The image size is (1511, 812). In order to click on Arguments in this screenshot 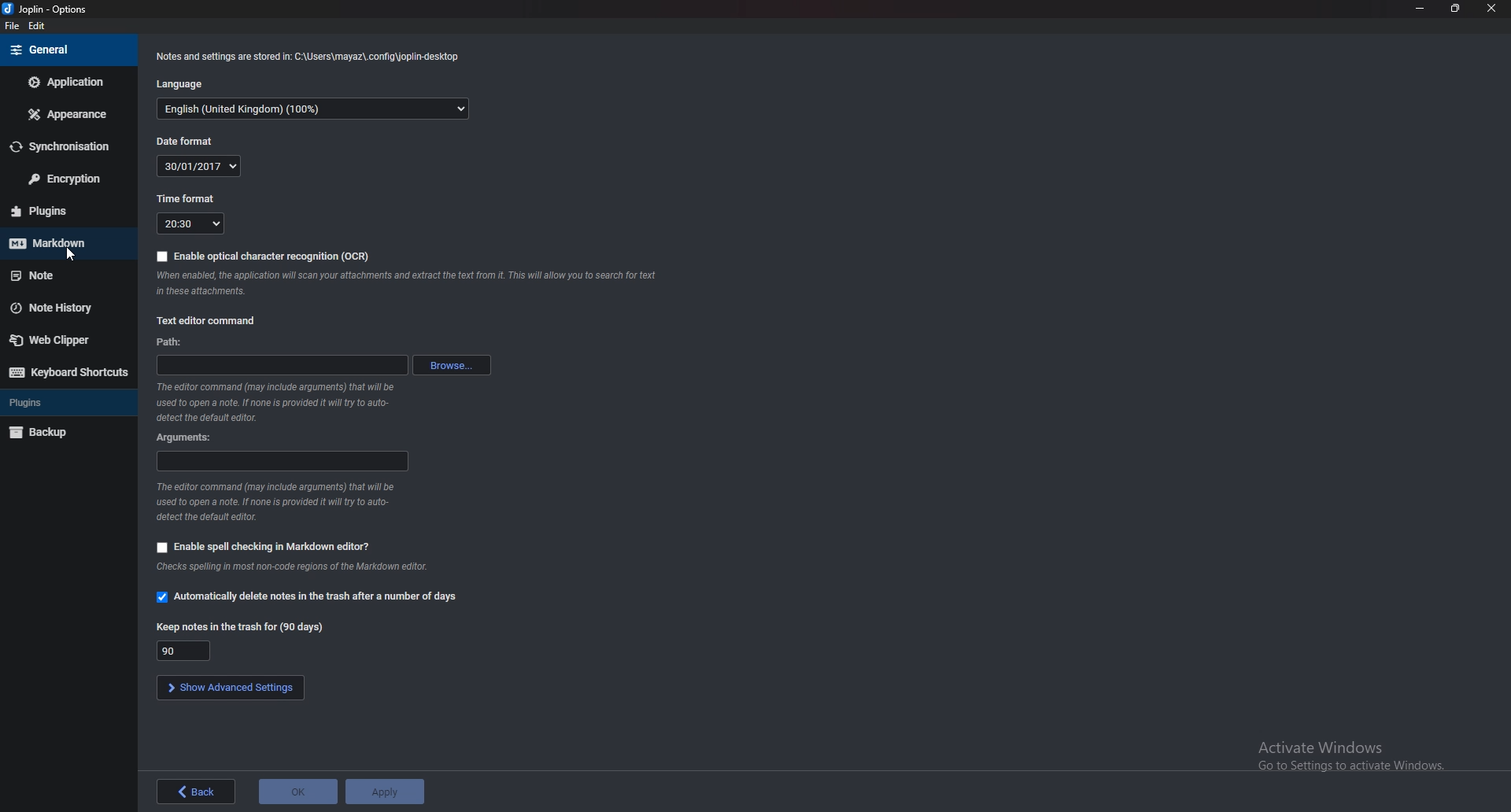, I will do `click(187, 438)`.